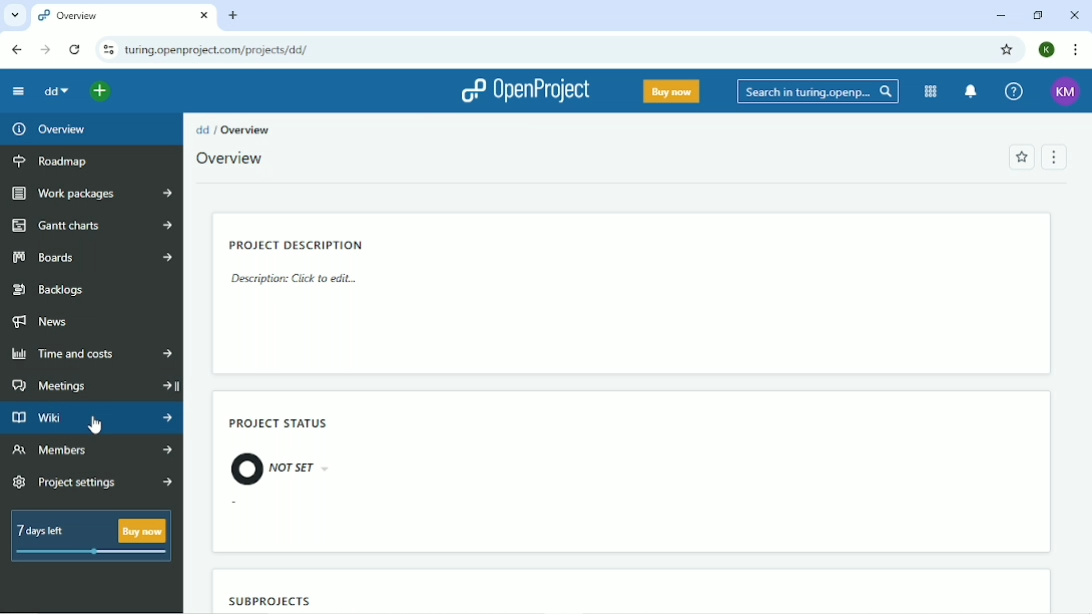  I want to click on Overview, so click(233, 160).